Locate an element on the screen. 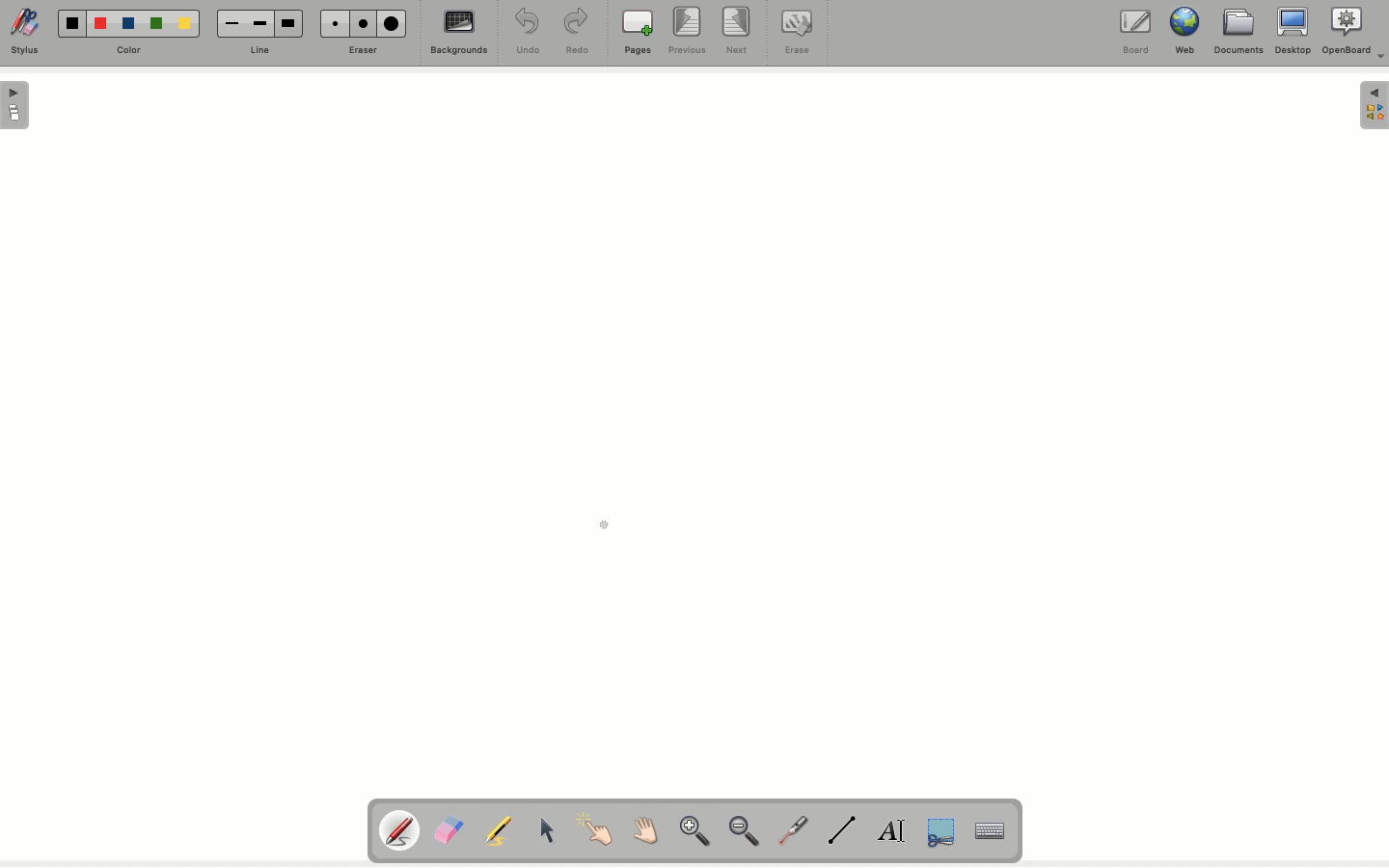 This screenshot has height=868, width=1389. Desktop is located at coordinates (1292, 33).